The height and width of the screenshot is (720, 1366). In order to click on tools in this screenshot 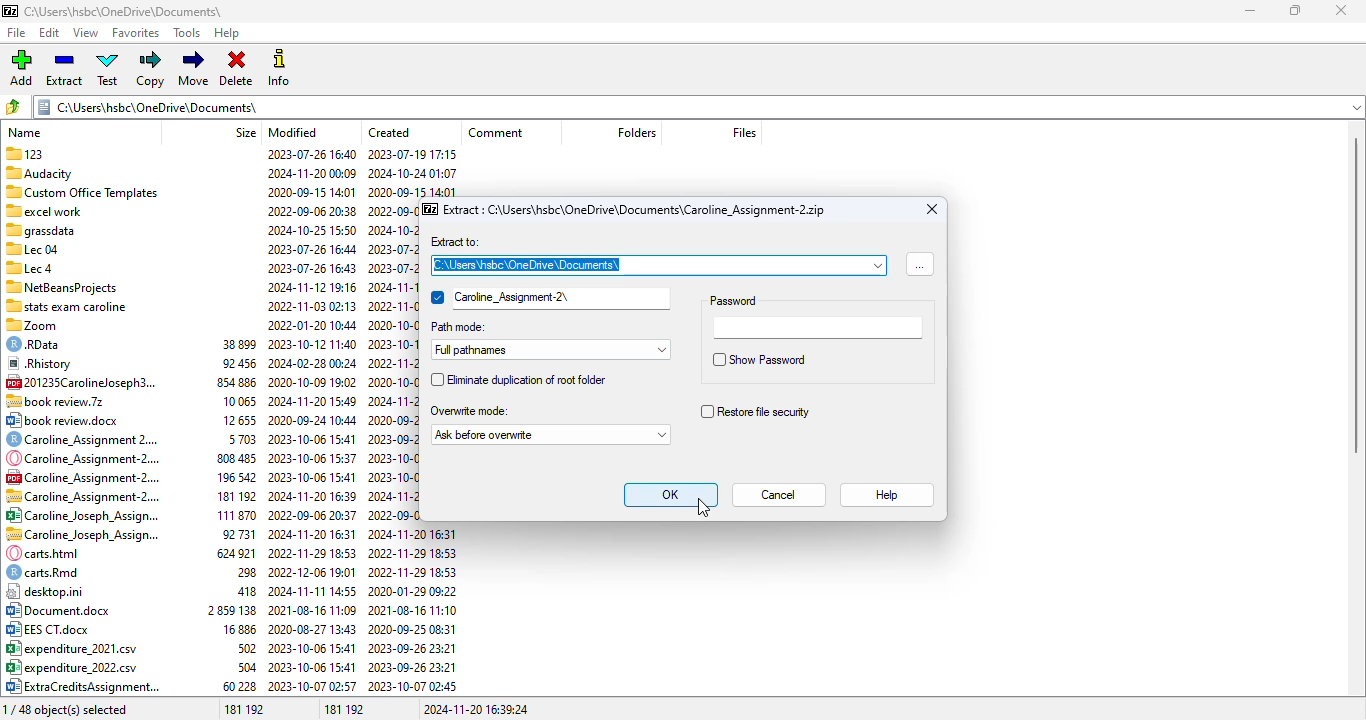, I will do `click(188, 33)`.